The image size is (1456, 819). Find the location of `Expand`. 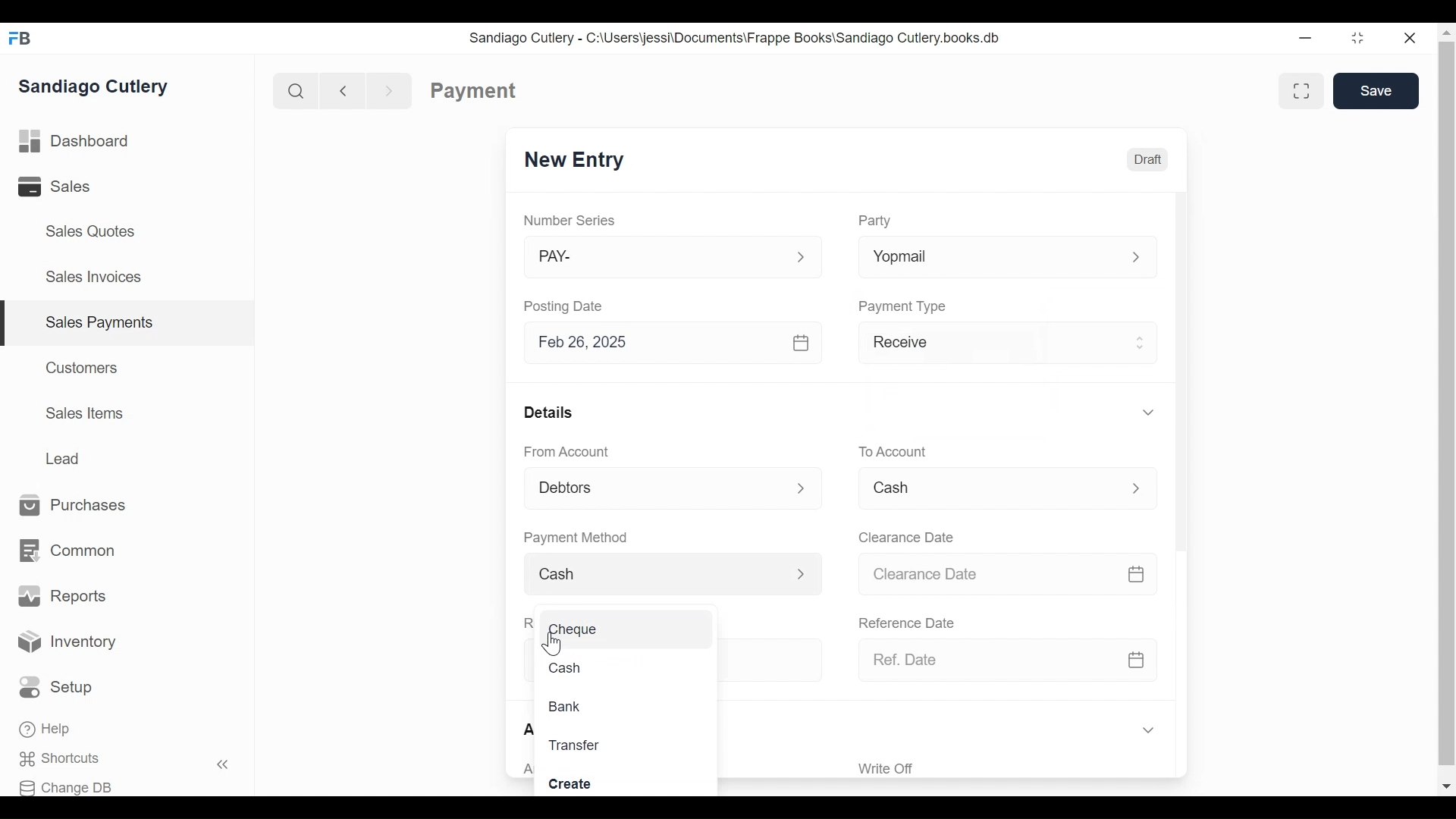

Expand is located at coordinates (802, 572).